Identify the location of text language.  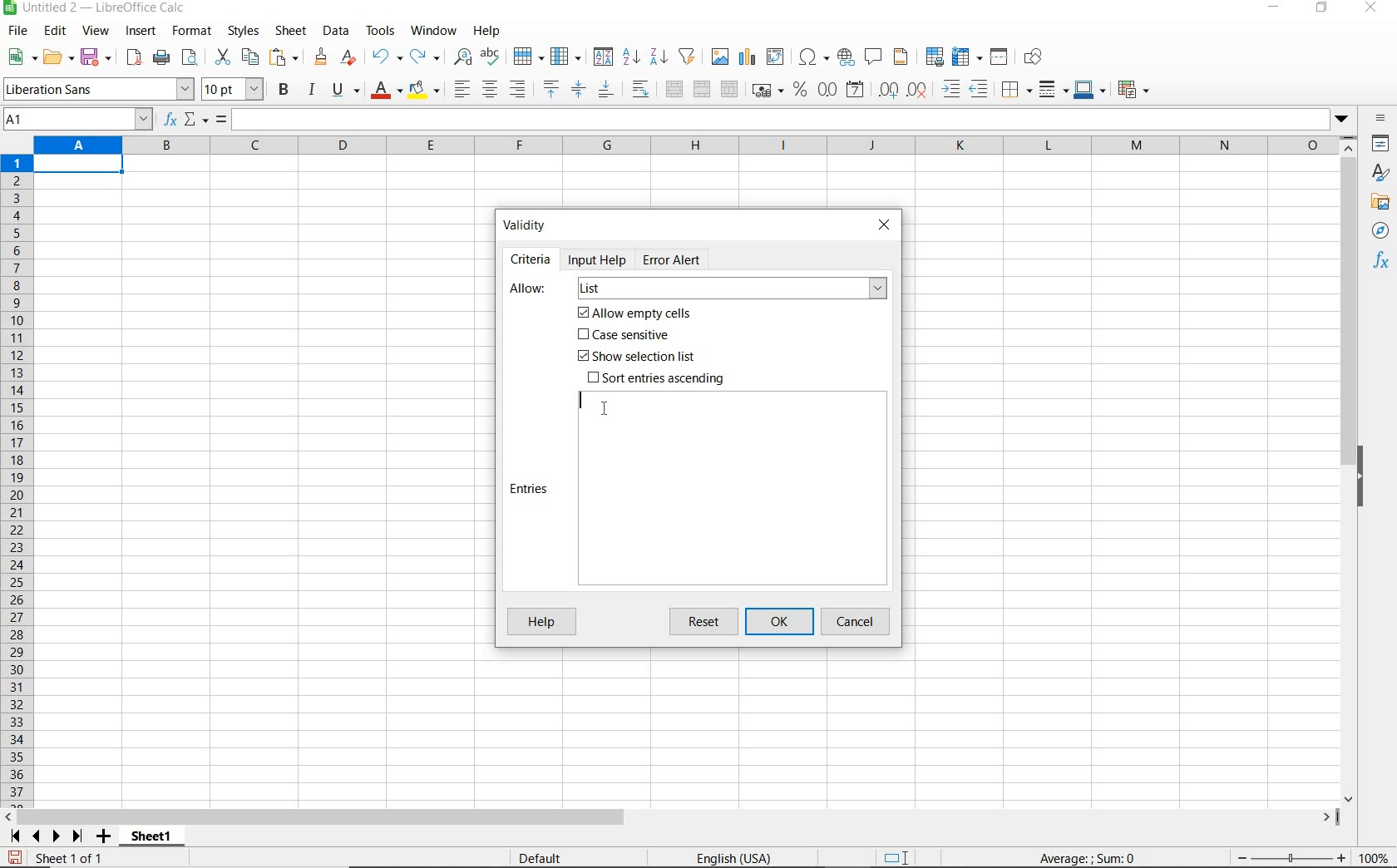
(732, 860).